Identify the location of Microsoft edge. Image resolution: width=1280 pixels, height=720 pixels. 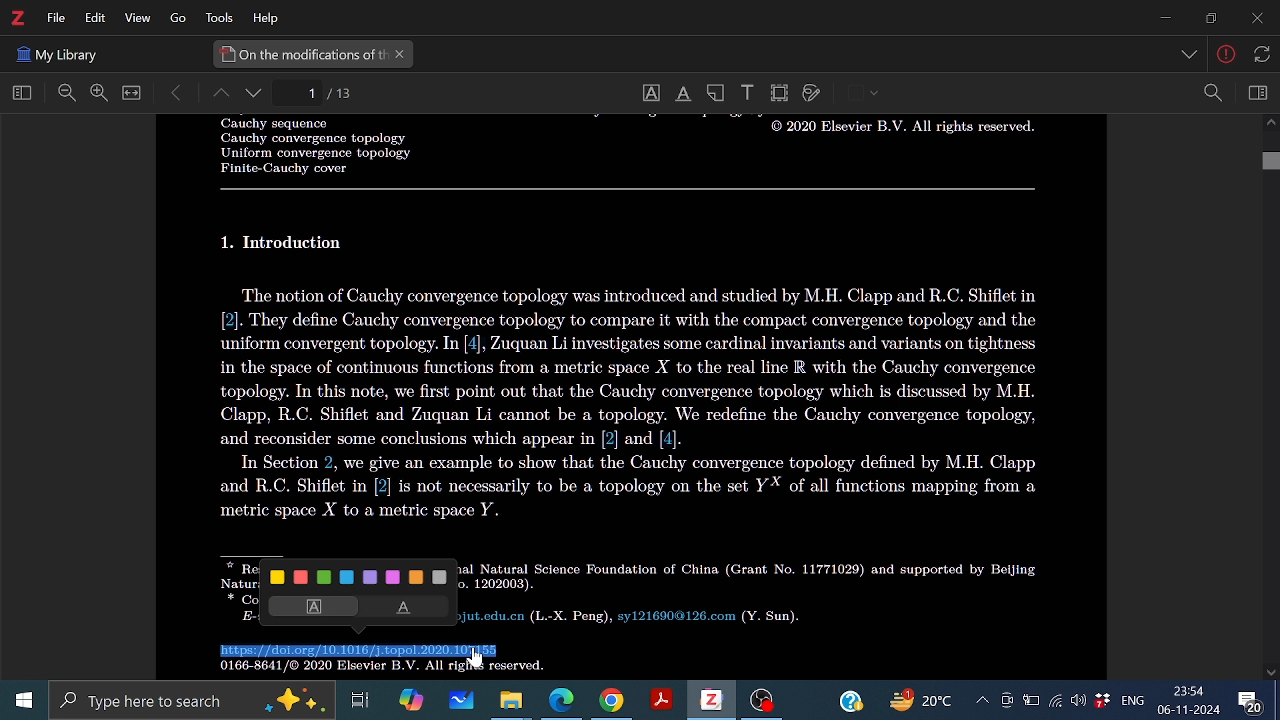
(562, 701).